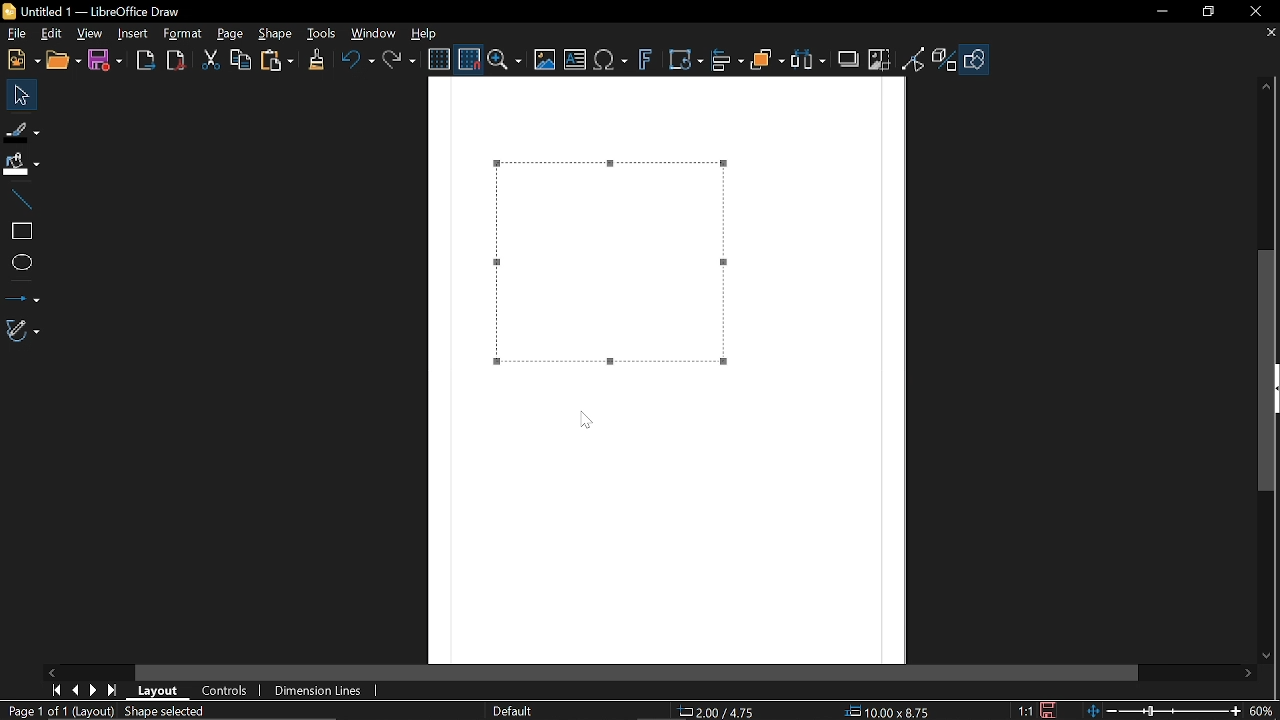 This screenshot has height=720, width=1280. What do you see at coordinates (401, 59) in the screenshot?
I see `Redo` at bounding box center [401, 59].